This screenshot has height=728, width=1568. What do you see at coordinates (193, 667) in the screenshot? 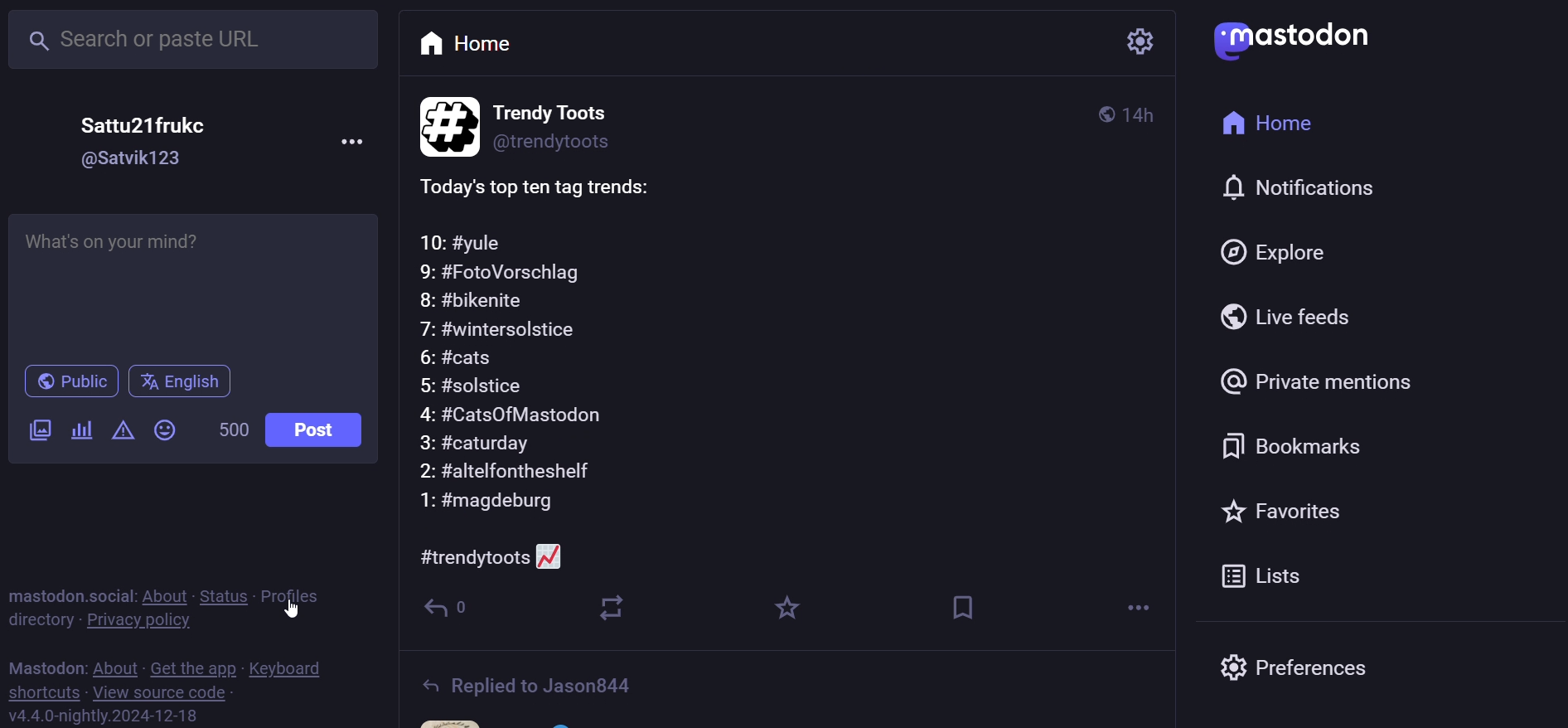
I see `get the app` at bounding box center [193, 667].